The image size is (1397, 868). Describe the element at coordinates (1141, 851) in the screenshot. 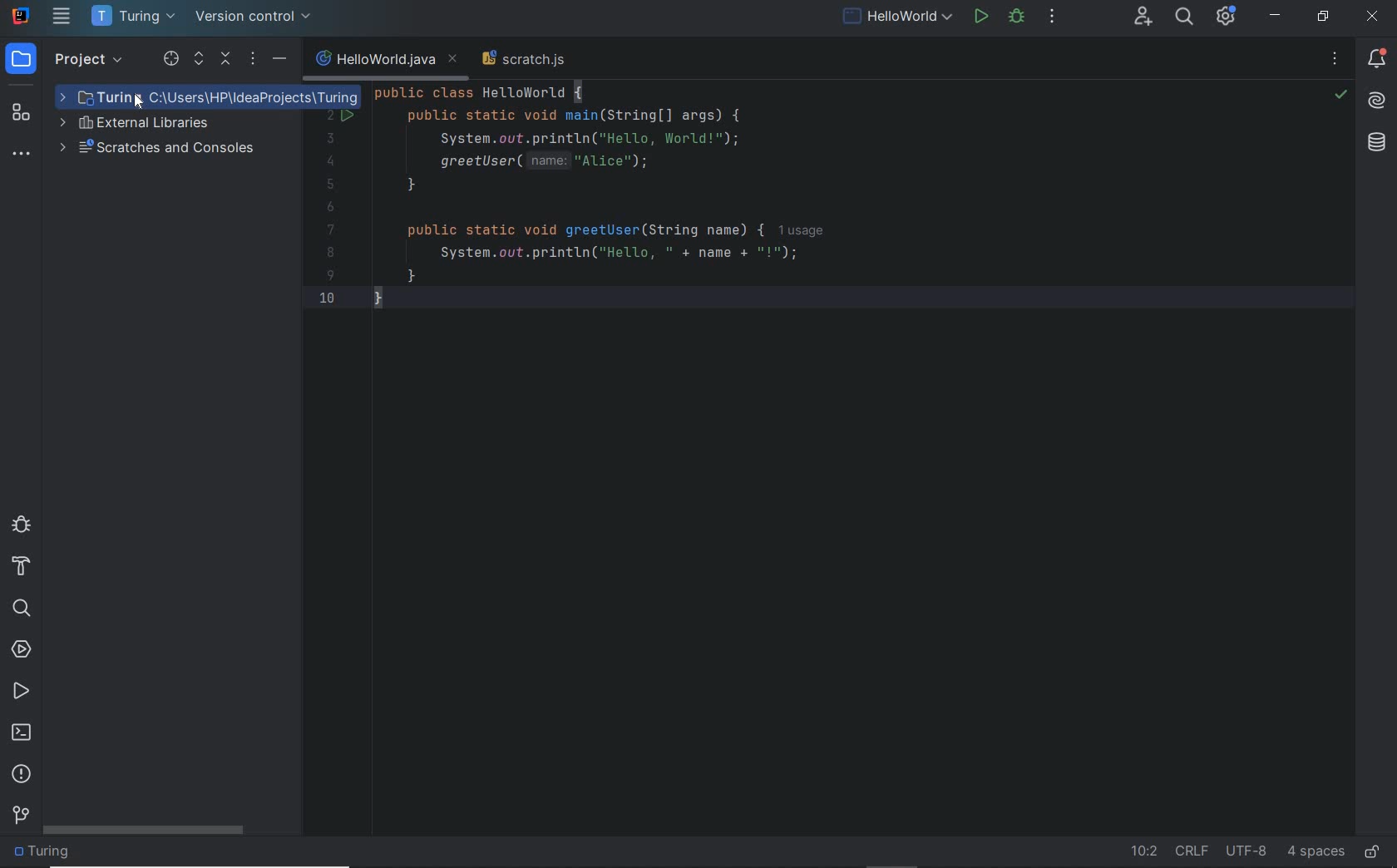

I see `go to line` at that location.